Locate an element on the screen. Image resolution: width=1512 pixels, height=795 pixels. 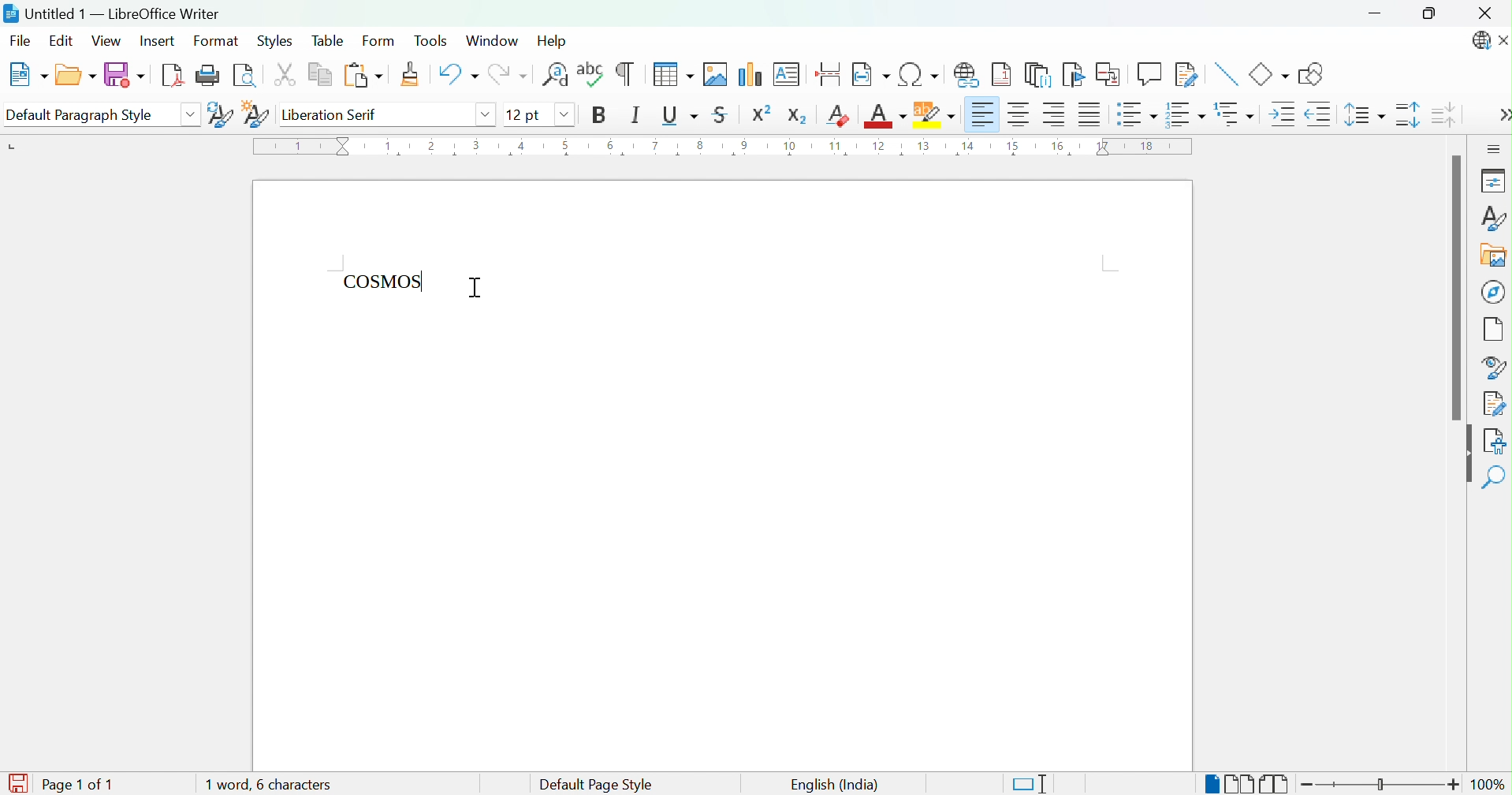
Styles is located at coordinates (274, 41).